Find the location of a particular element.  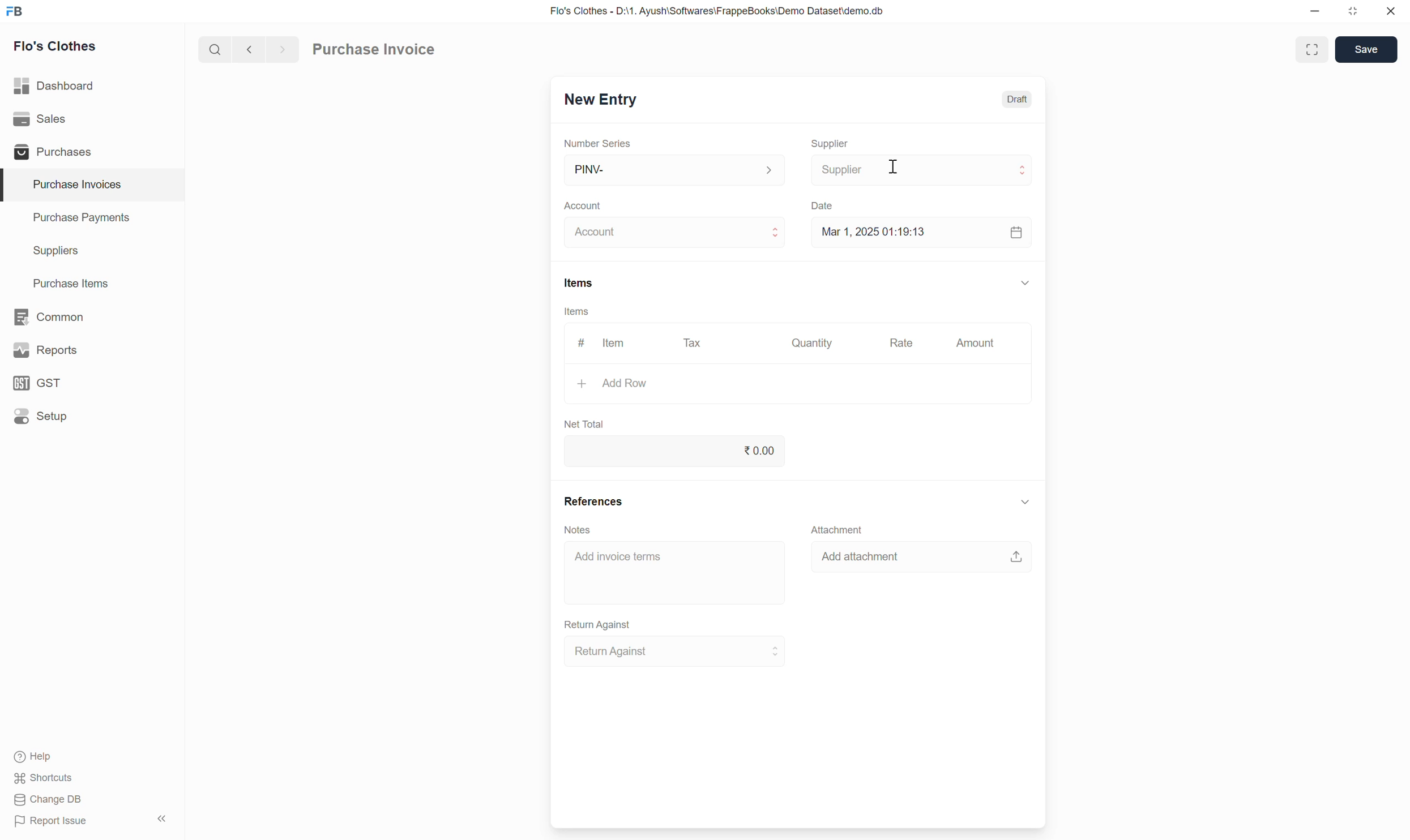

Report Issue is located at coordinates (46, 824).